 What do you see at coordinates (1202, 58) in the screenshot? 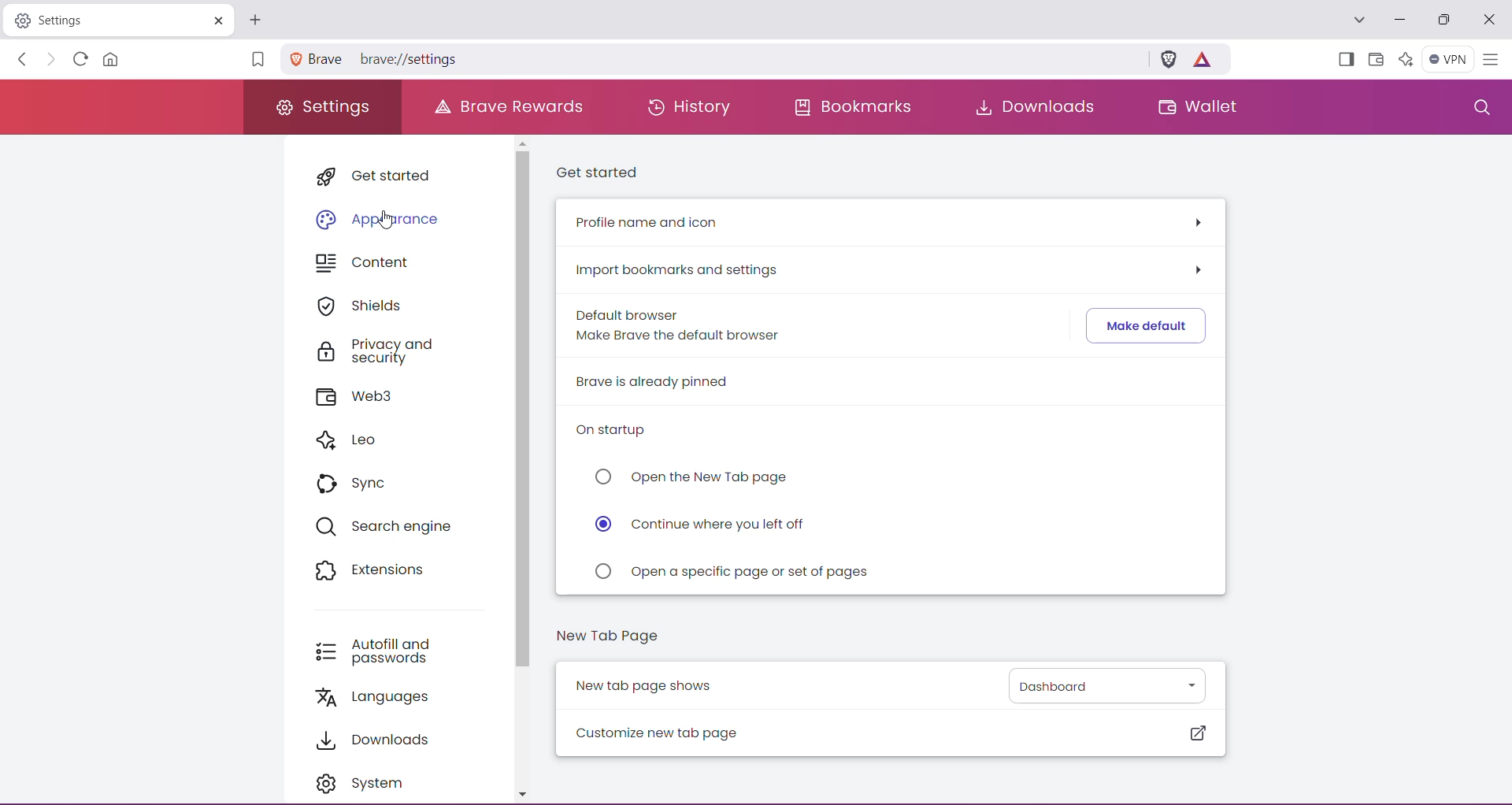
I see `Earn tokens for private ads you see in Brave` at bounding box center [1202, 58].